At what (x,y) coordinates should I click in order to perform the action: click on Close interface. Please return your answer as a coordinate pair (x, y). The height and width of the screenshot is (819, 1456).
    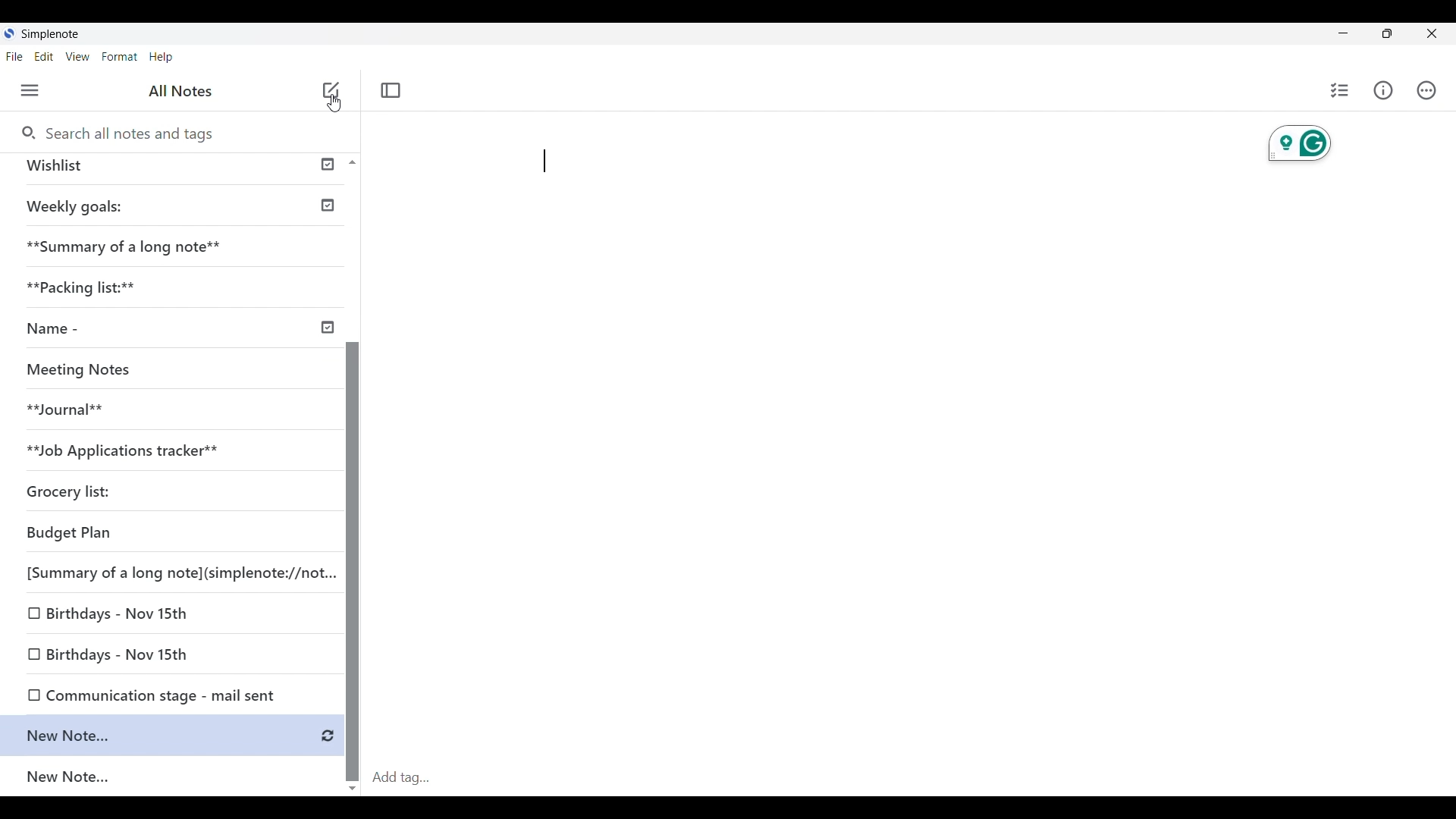
    Looking at the image, I should click on (1432, 33).